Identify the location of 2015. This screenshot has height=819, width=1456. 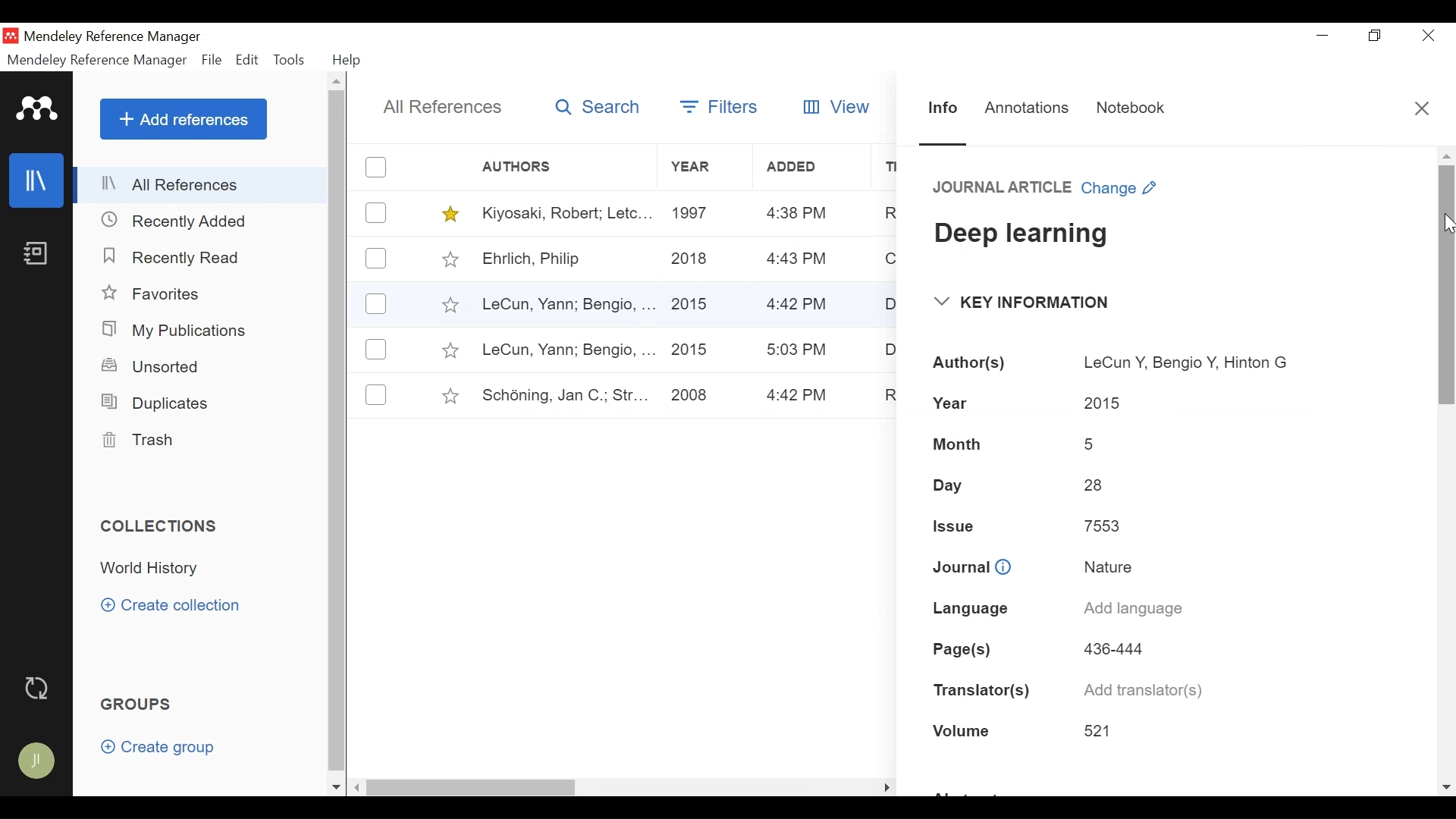
(691, 350).